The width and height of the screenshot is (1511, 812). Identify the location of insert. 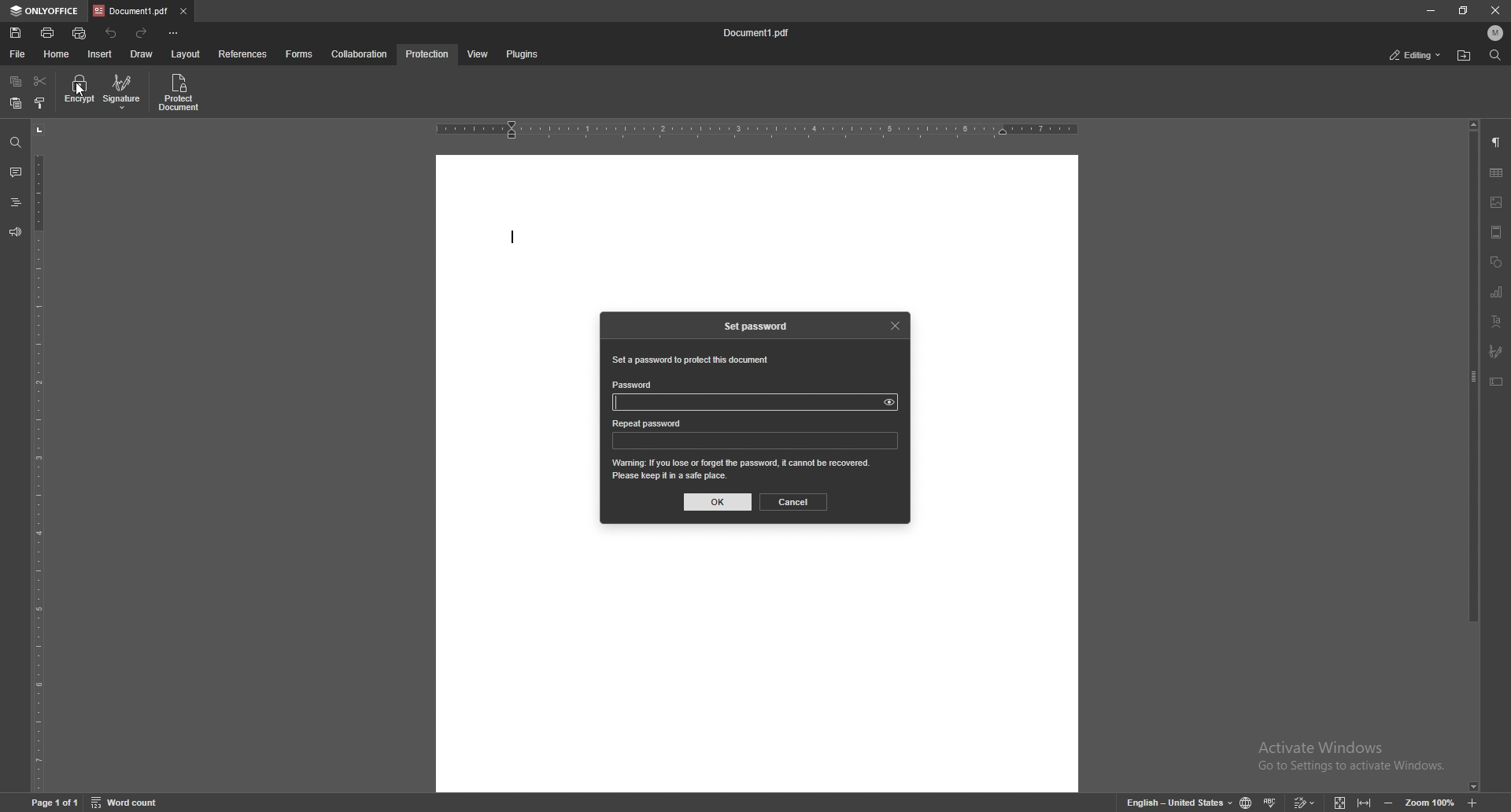
(99, 55).